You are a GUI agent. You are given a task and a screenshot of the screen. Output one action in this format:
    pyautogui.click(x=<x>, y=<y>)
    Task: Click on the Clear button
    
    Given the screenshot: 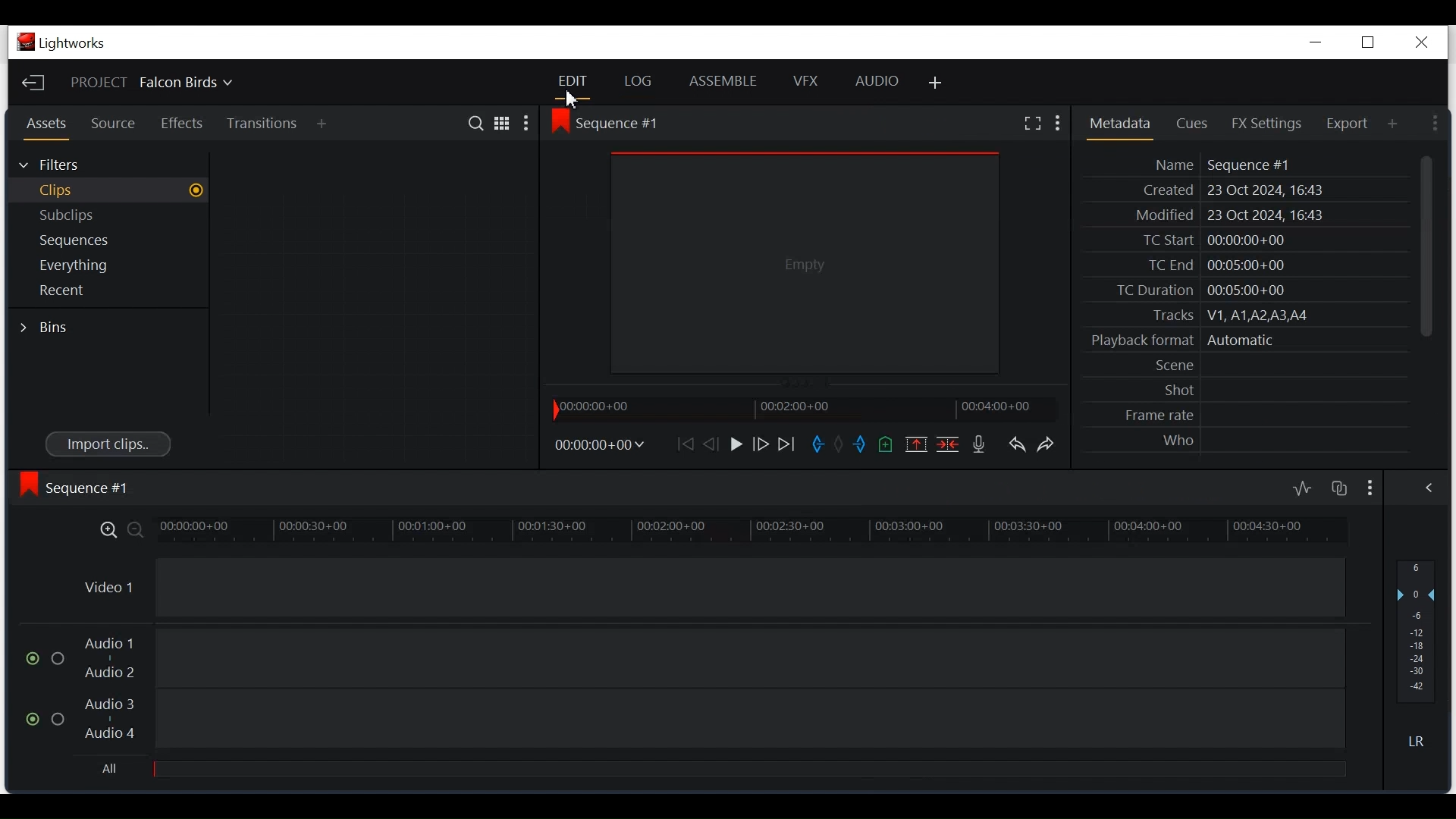 What is the action you would take?
    pyautogui.click(x=836, y=444)
    